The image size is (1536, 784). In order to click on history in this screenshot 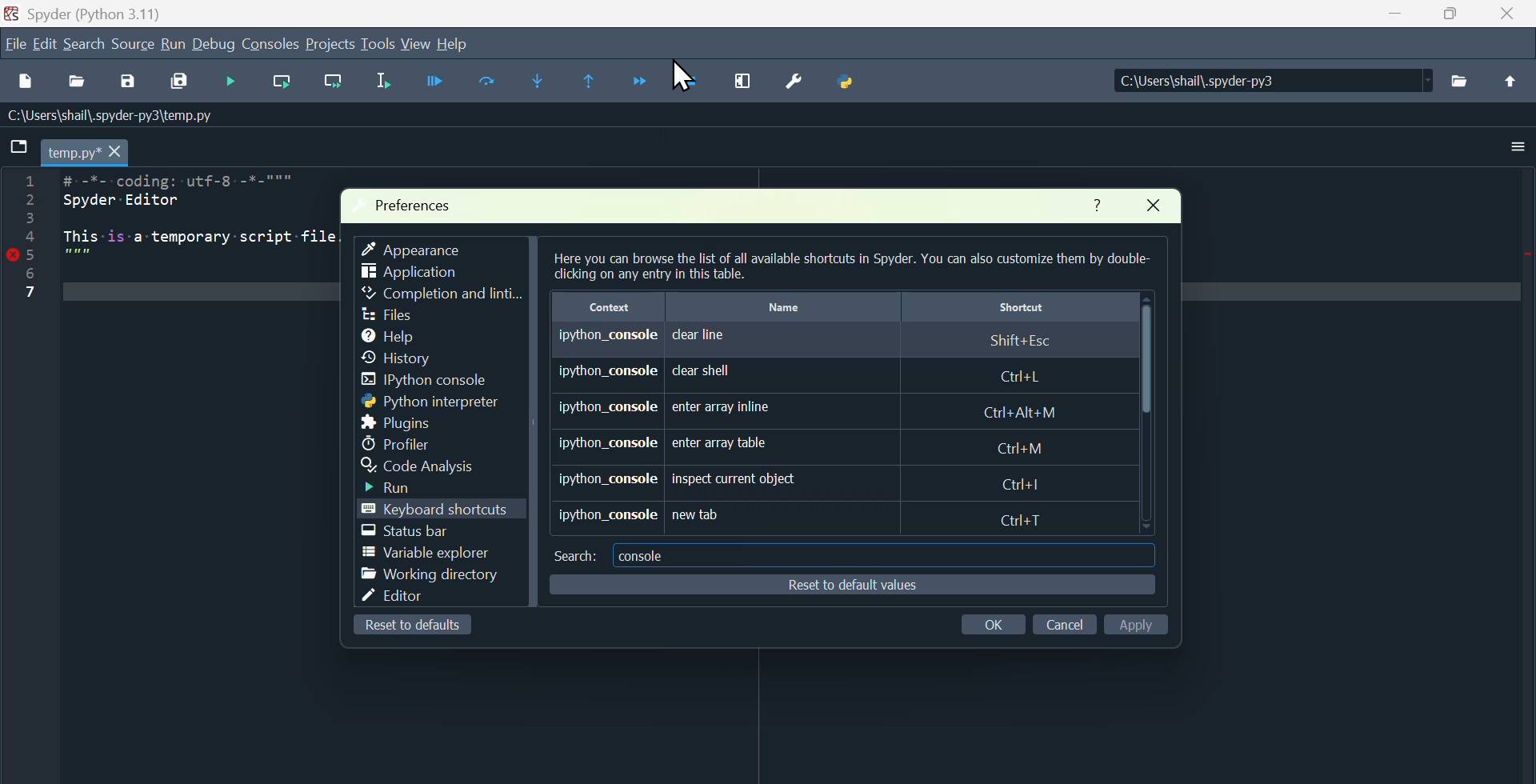, I will do `click(404, 359)`.